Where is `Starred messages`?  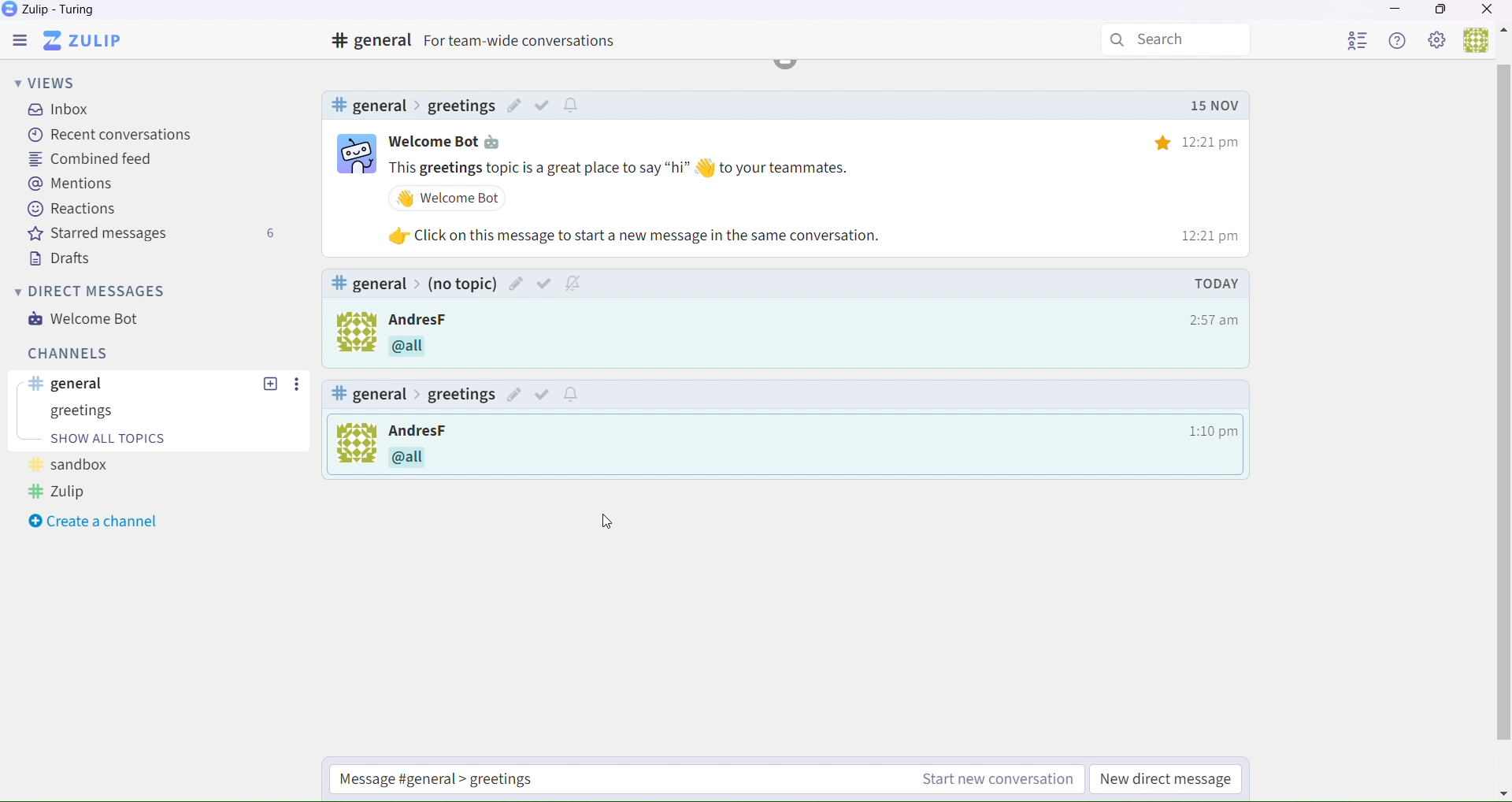 Starred messages is located at coordinates (152, 236).